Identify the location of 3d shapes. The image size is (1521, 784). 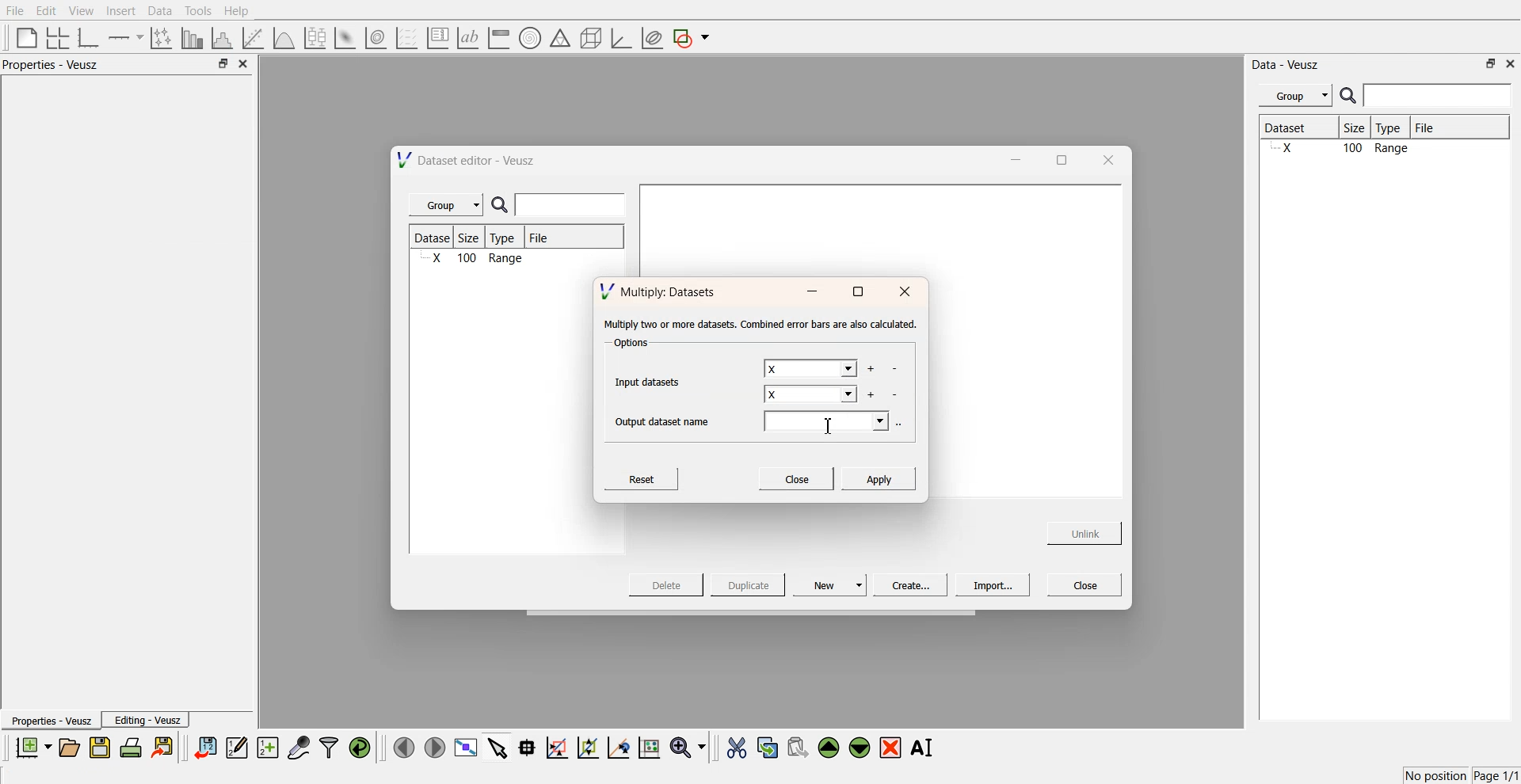
(588, 38).